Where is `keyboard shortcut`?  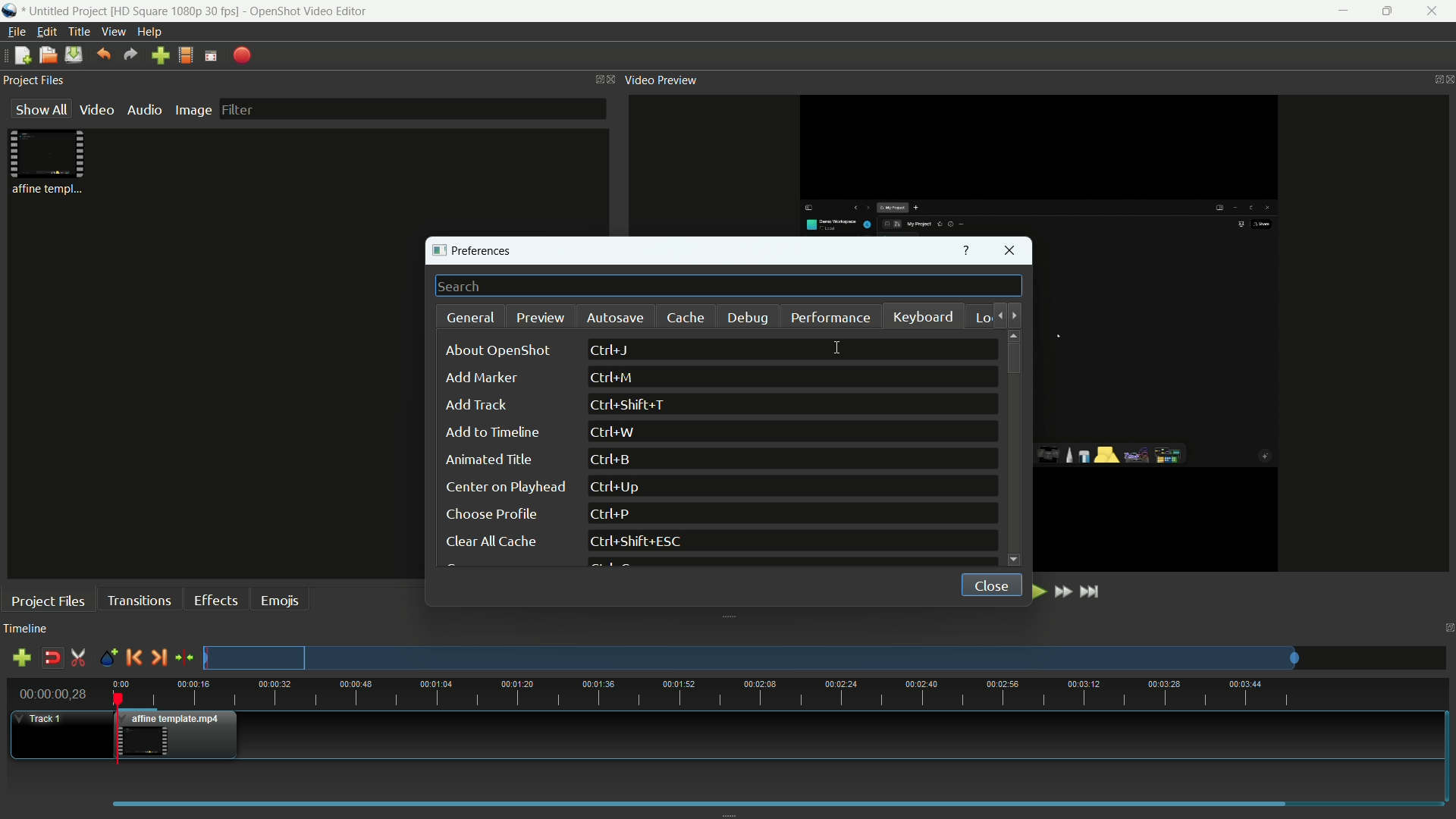 keyboard shortcut is located at coordinates (632, 406).